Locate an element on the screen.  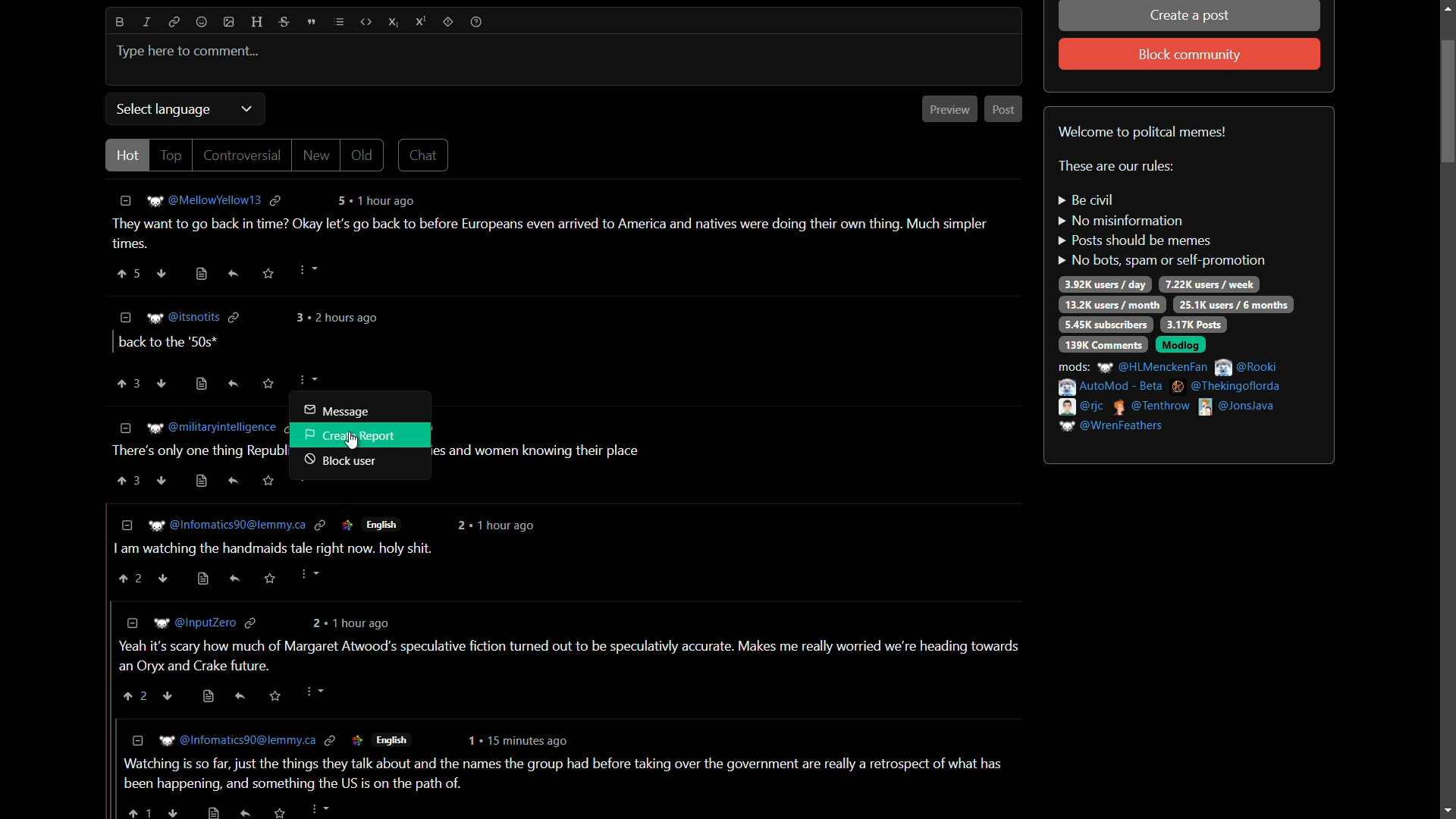
quote is located at coordinates (311, 21).